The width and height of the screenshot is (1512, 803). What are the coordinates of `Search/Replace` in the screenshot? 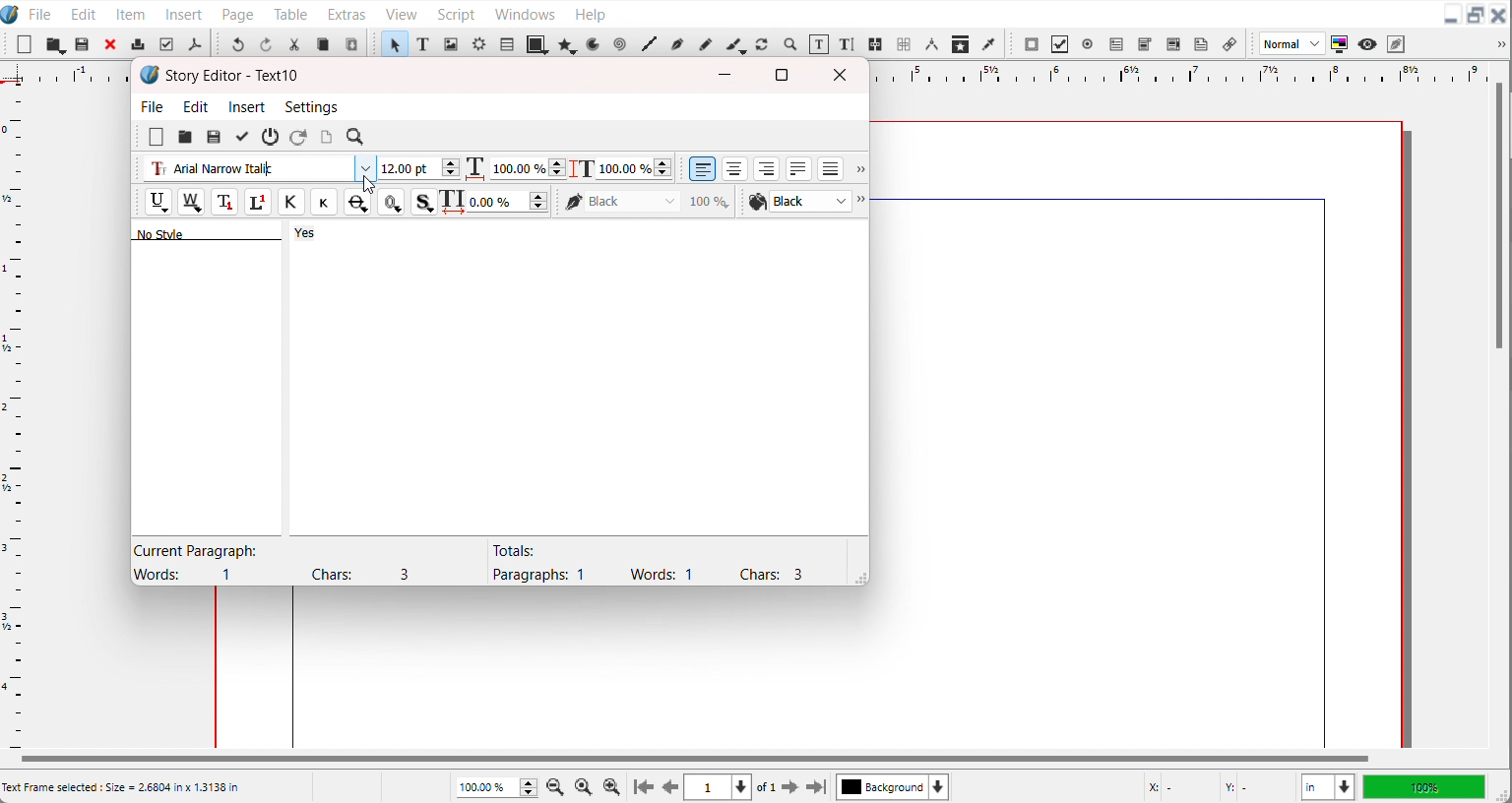 It's located at (357, 138).